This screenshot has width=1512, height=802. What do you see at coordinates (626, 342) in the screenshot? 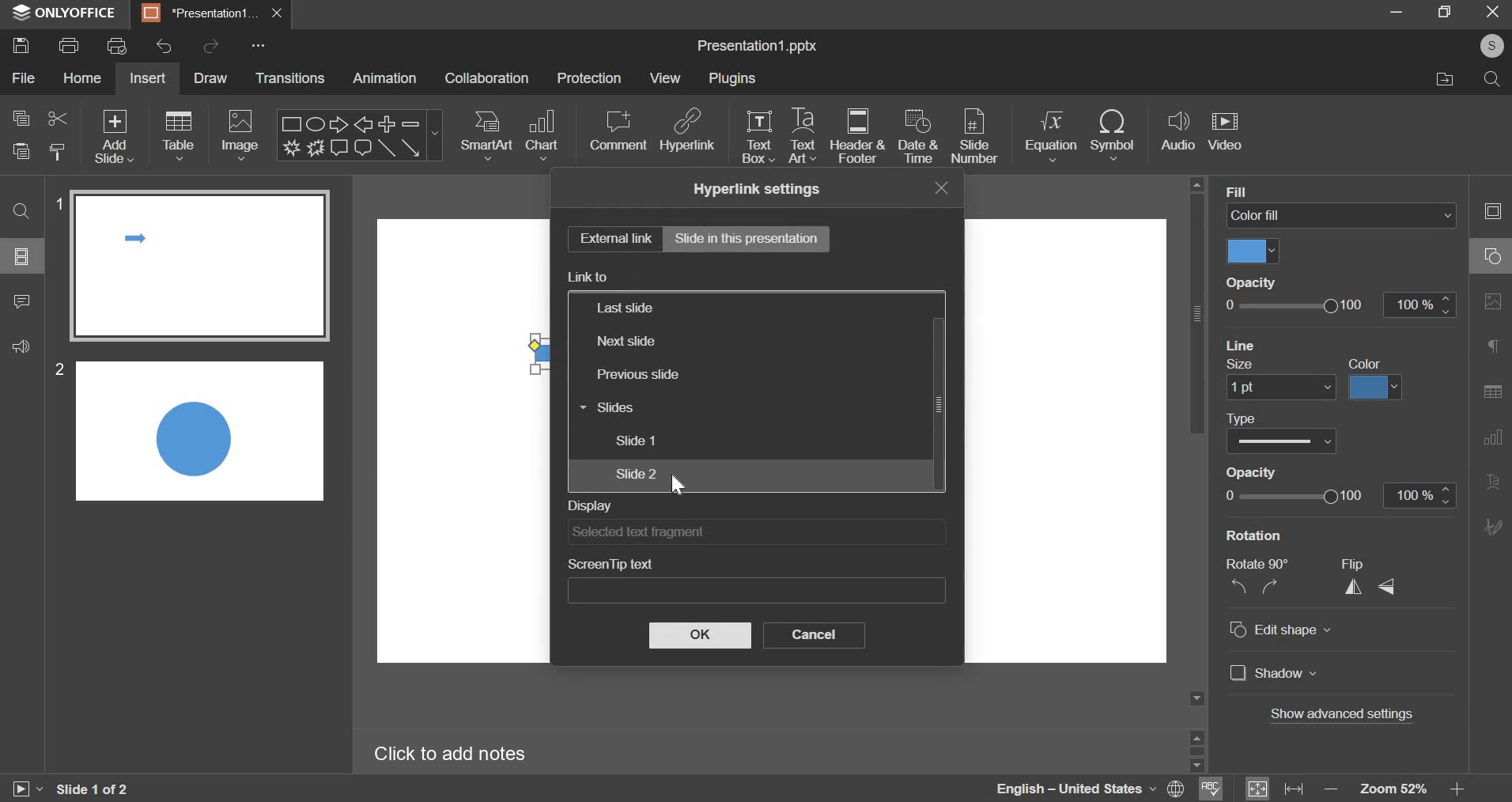
I see `next slide` at bounding box center [626, 342].